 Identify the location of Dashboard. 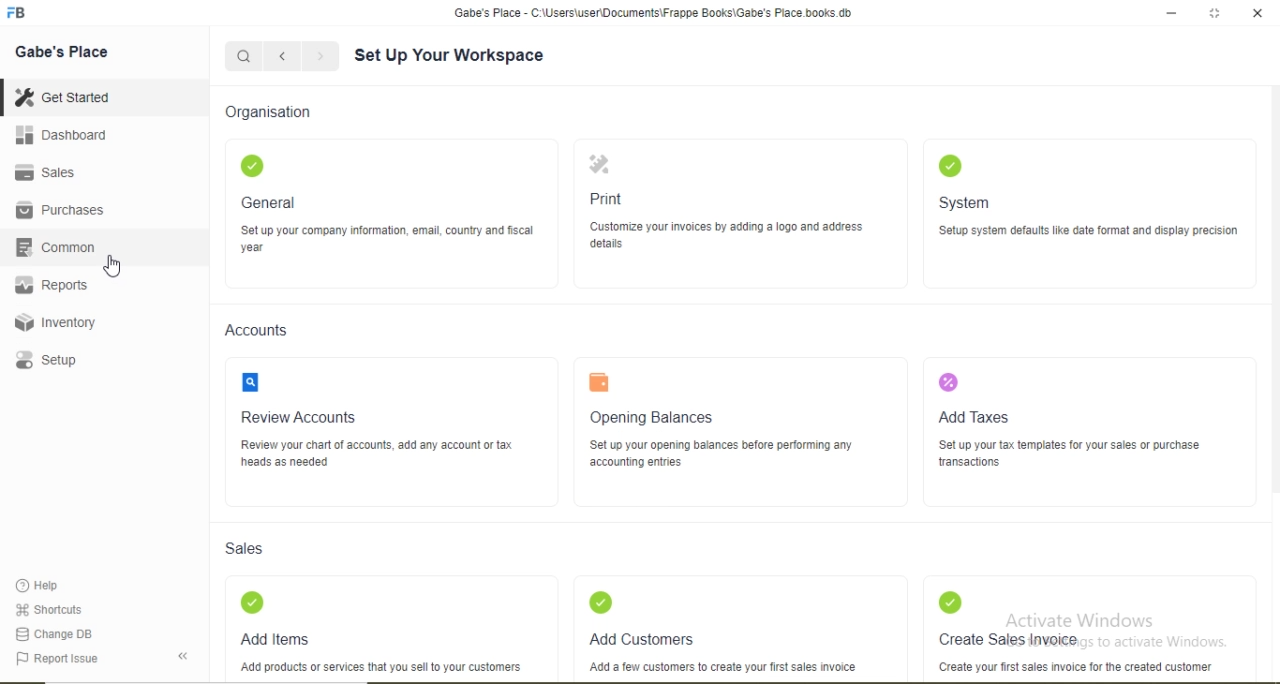
(62, 134).